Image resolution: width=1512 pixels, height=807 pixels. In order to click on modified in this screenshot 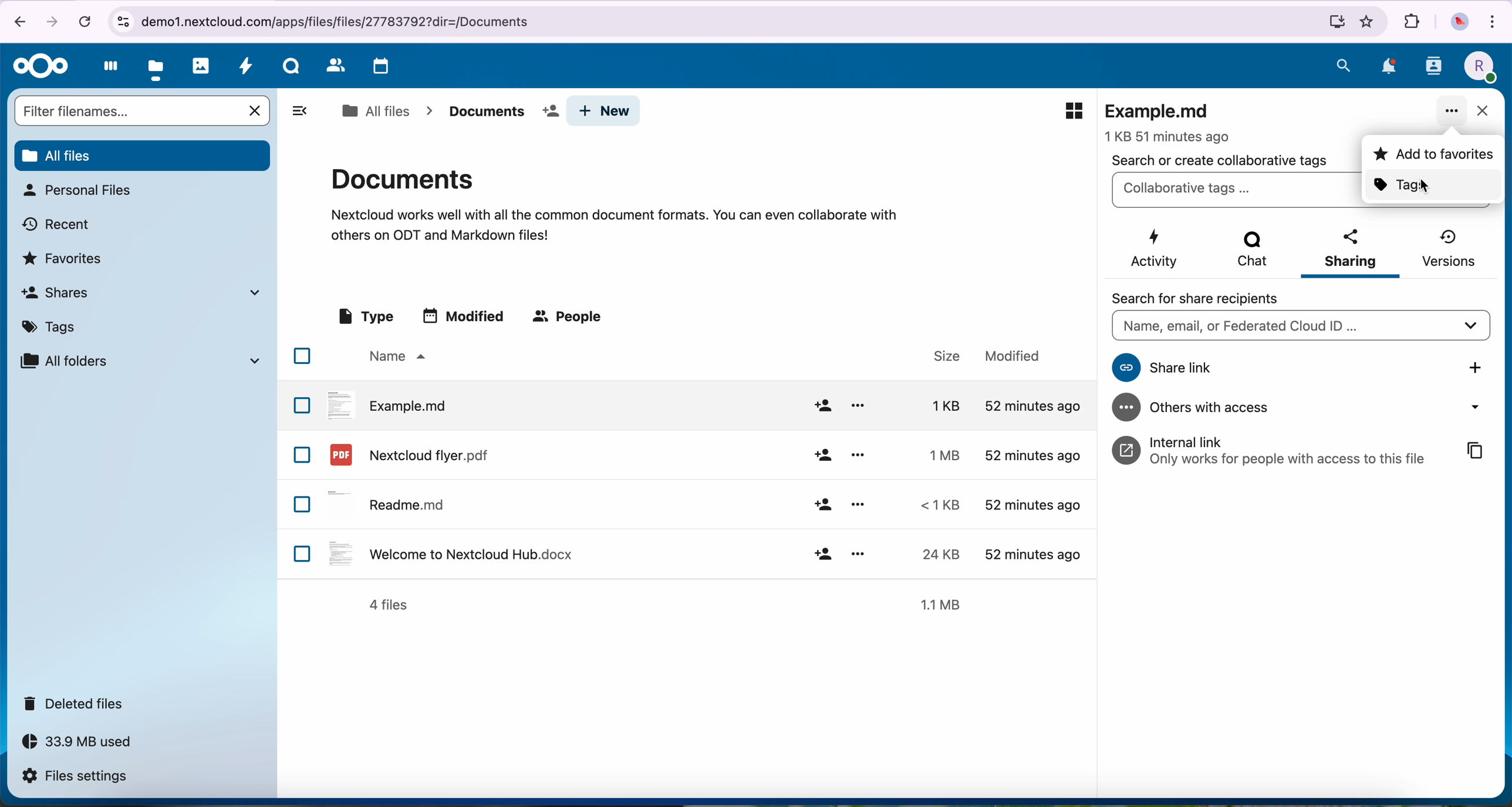, I will do `click(1030, 552)`.